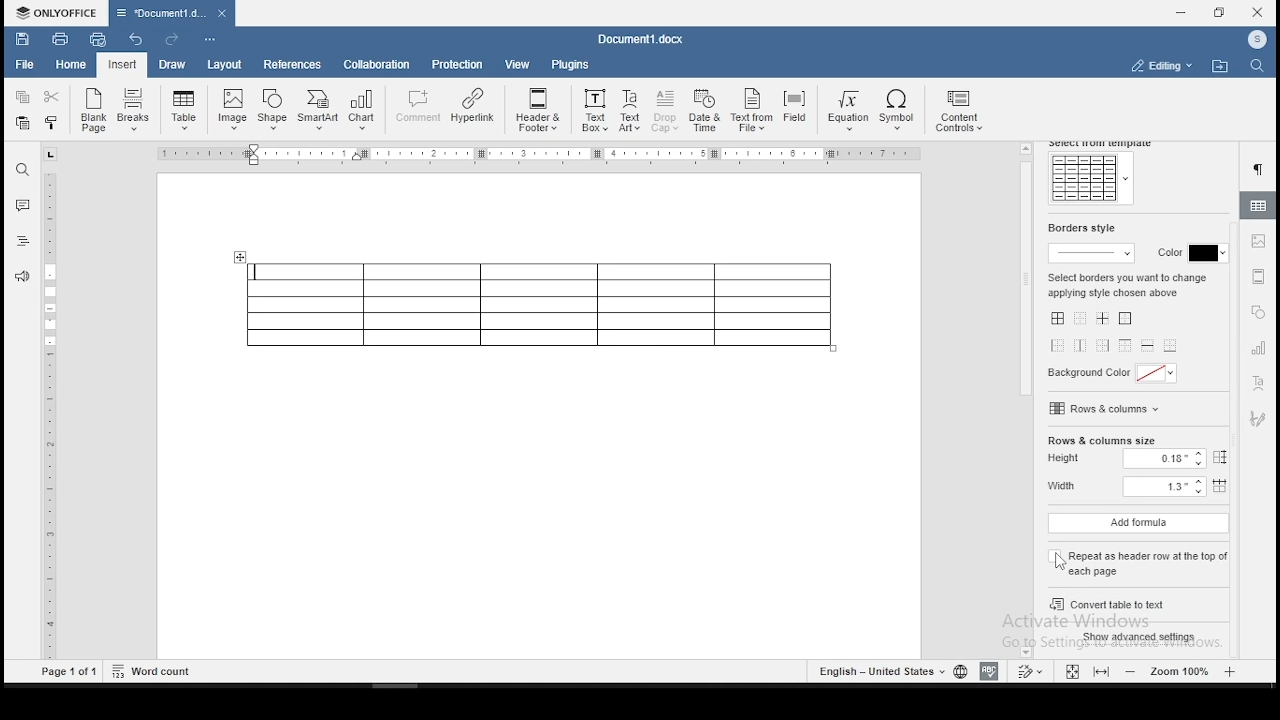  What do you see at coordinates (135, 112) in the screenshot?
I see `Breaks` at bounding box center [135, 112].